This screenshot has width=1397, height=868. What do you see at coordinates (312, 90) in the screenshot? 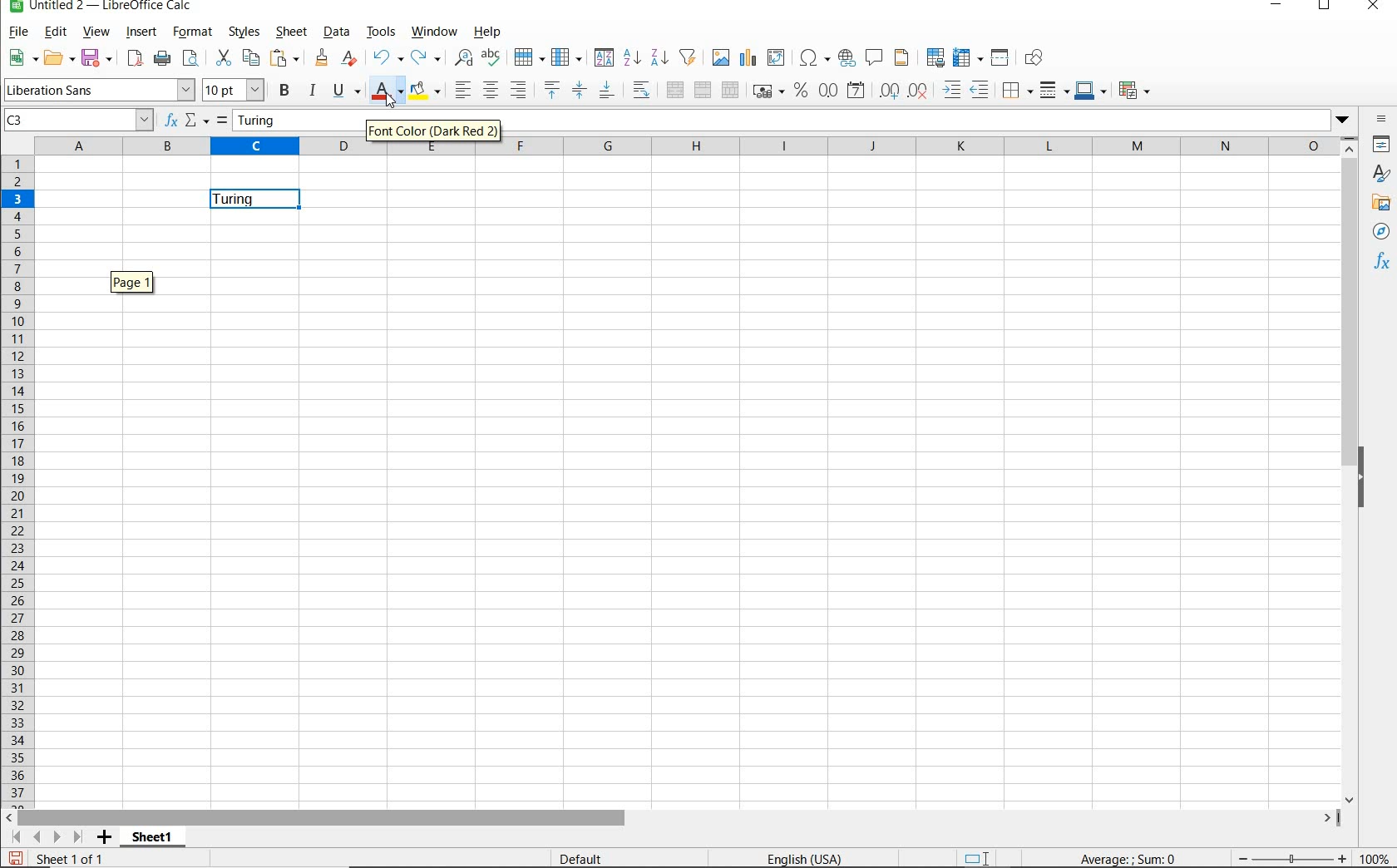
I see `ITALIC` at bounding box center [312, 90].